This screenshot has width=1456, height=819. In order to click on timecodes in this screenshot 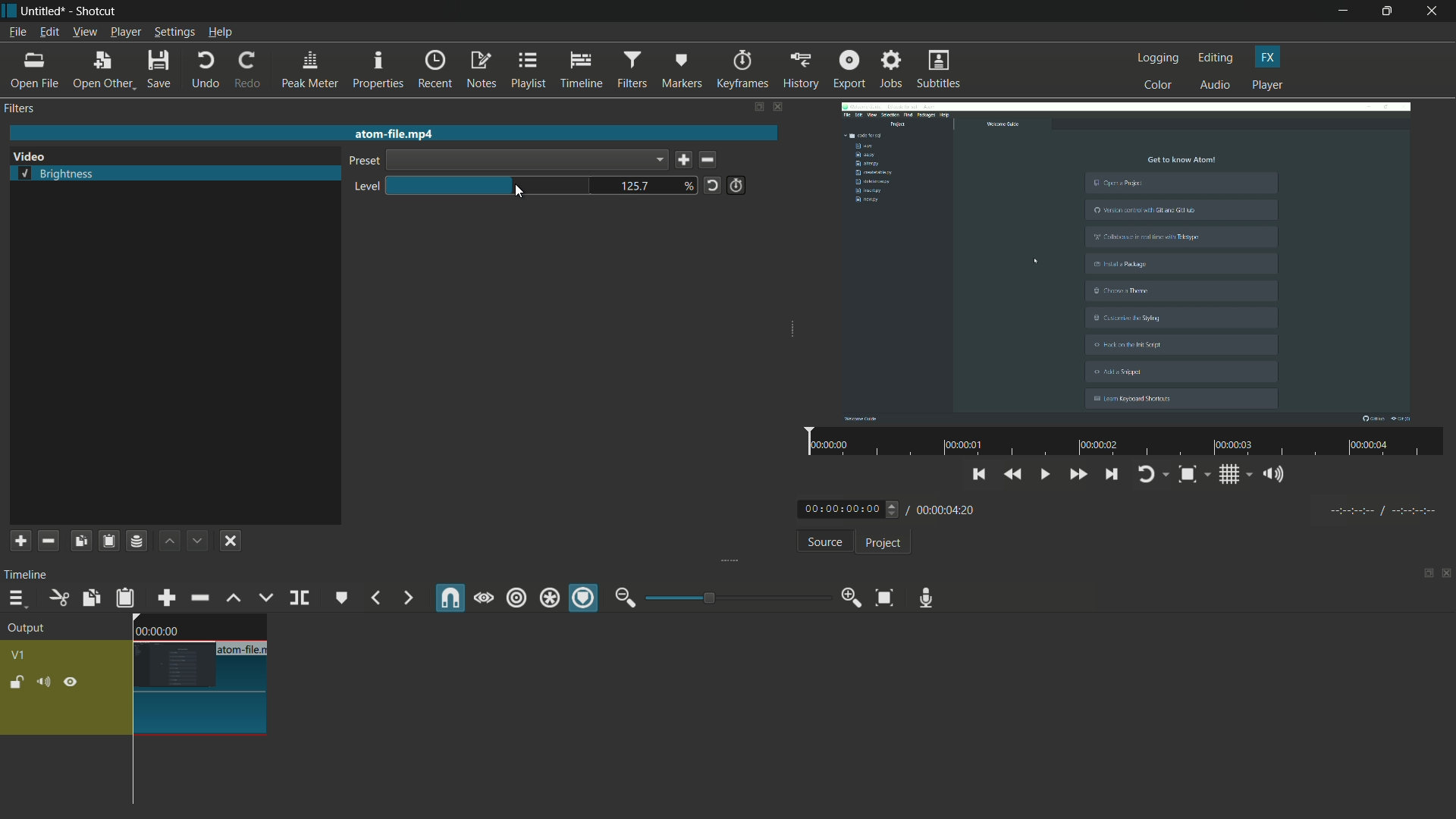, I will do `click(1381, 508)`.